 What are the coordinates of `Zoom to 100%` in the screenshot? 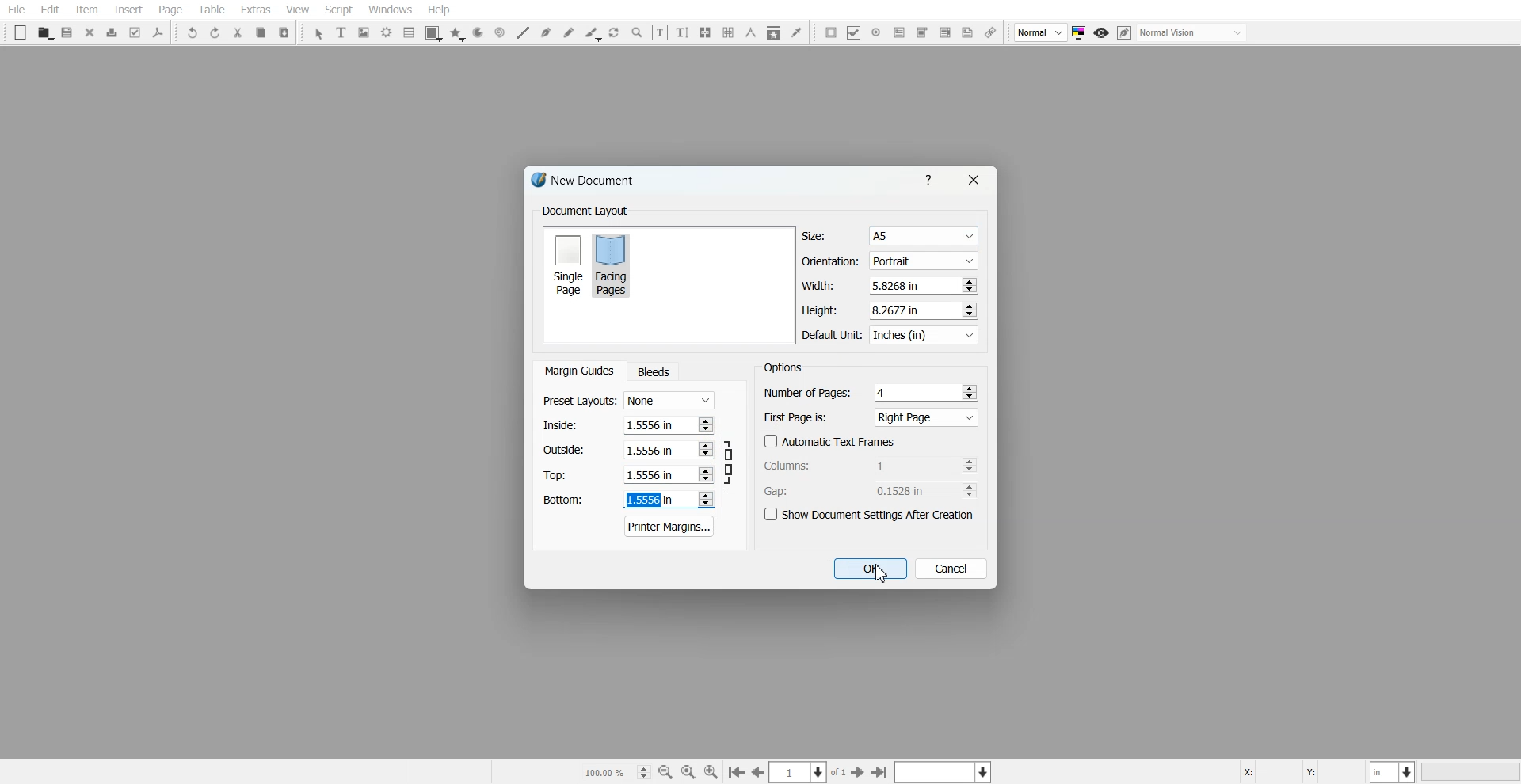 It's located at (688, 771).